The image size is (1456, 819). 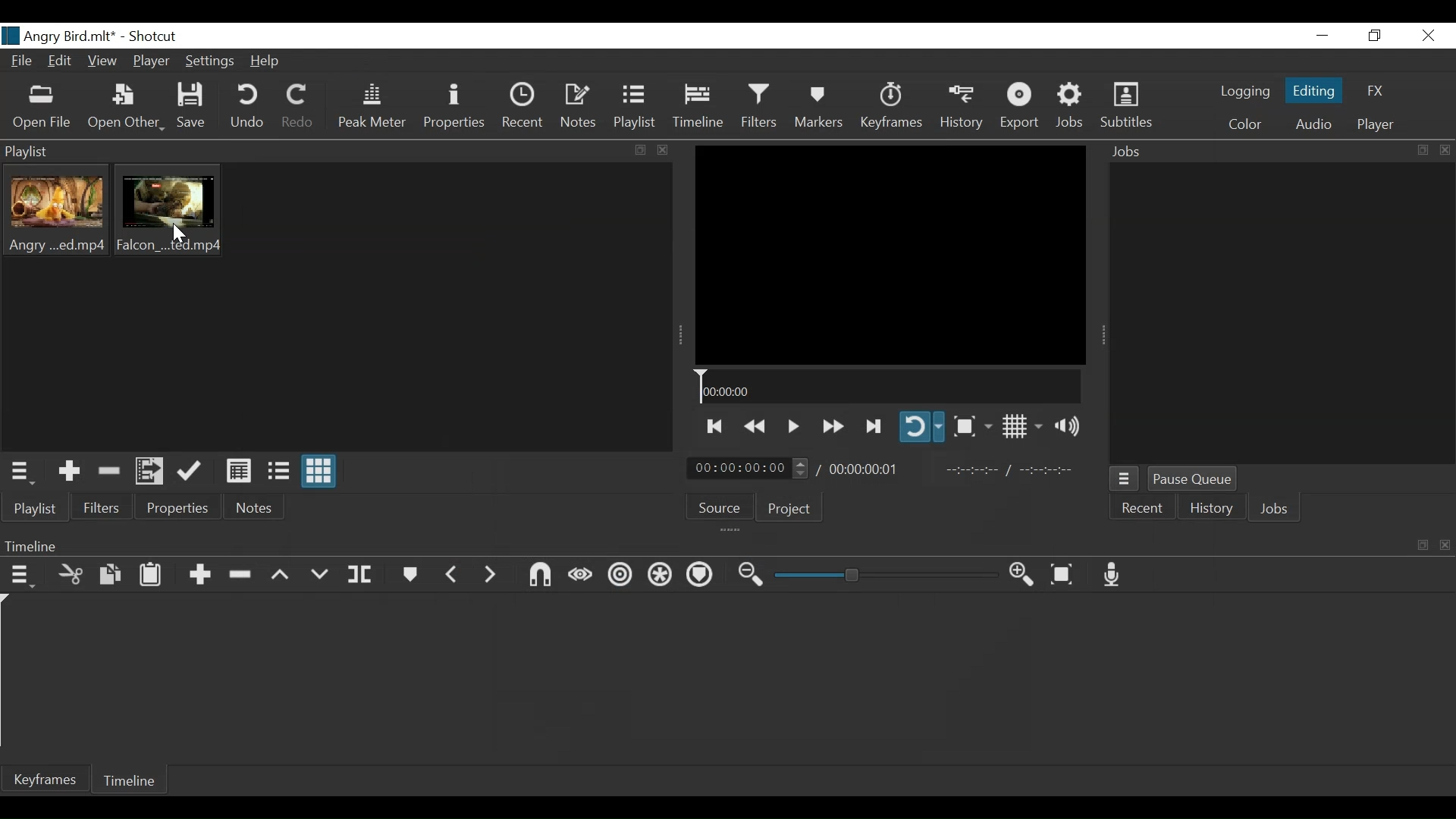 What do you see at coordinates (791, 428) in the screenshot?
I see `Toggle play or pause (Space)` at bounding box center [791, 428].